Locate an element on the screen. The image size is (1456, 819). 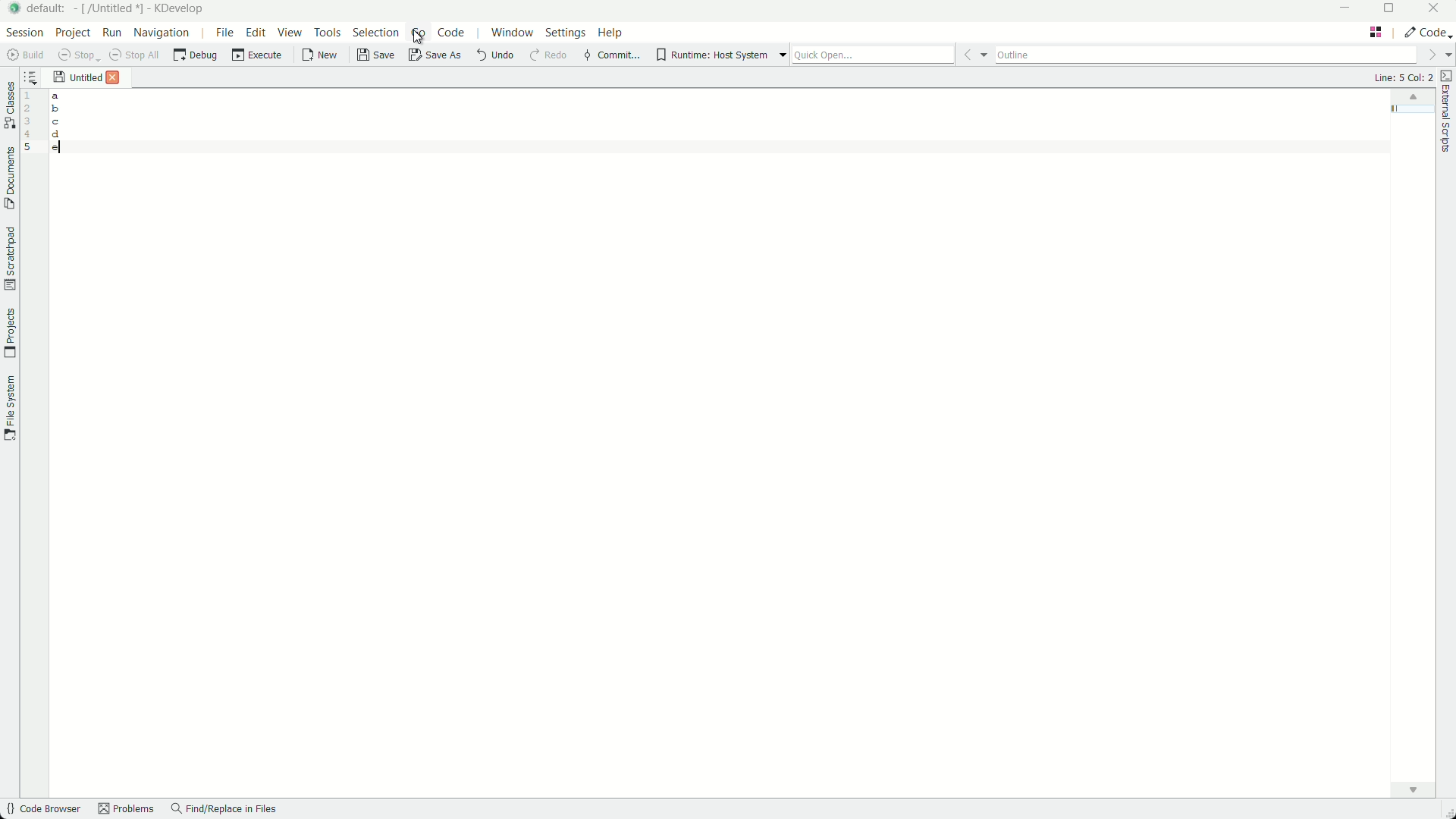
run is located at coordinates (111, 33).